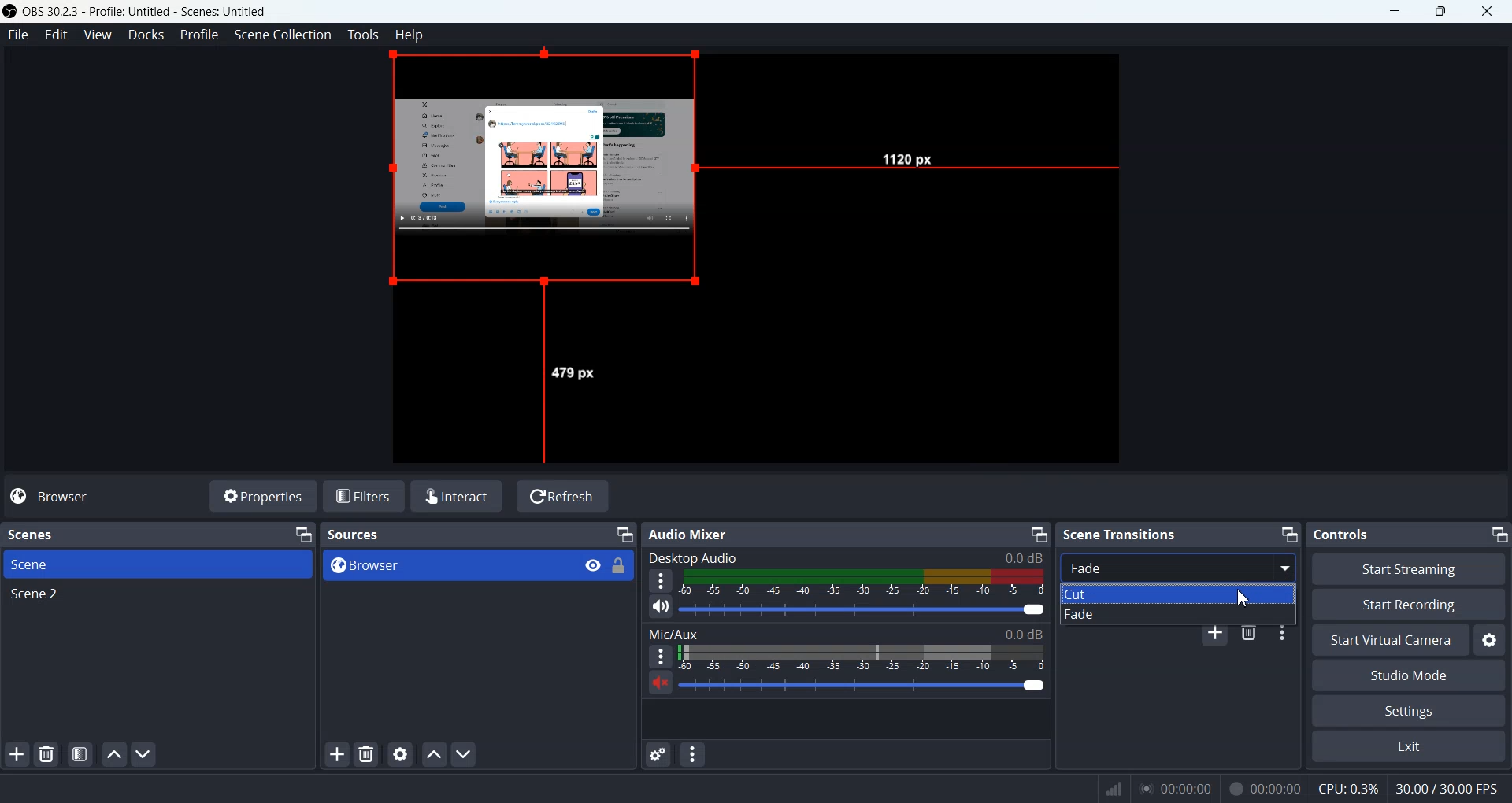  What do you see at coordinates (1119, 533) in the screenshot?
I see `Text` at bounding box center [1119, 533].